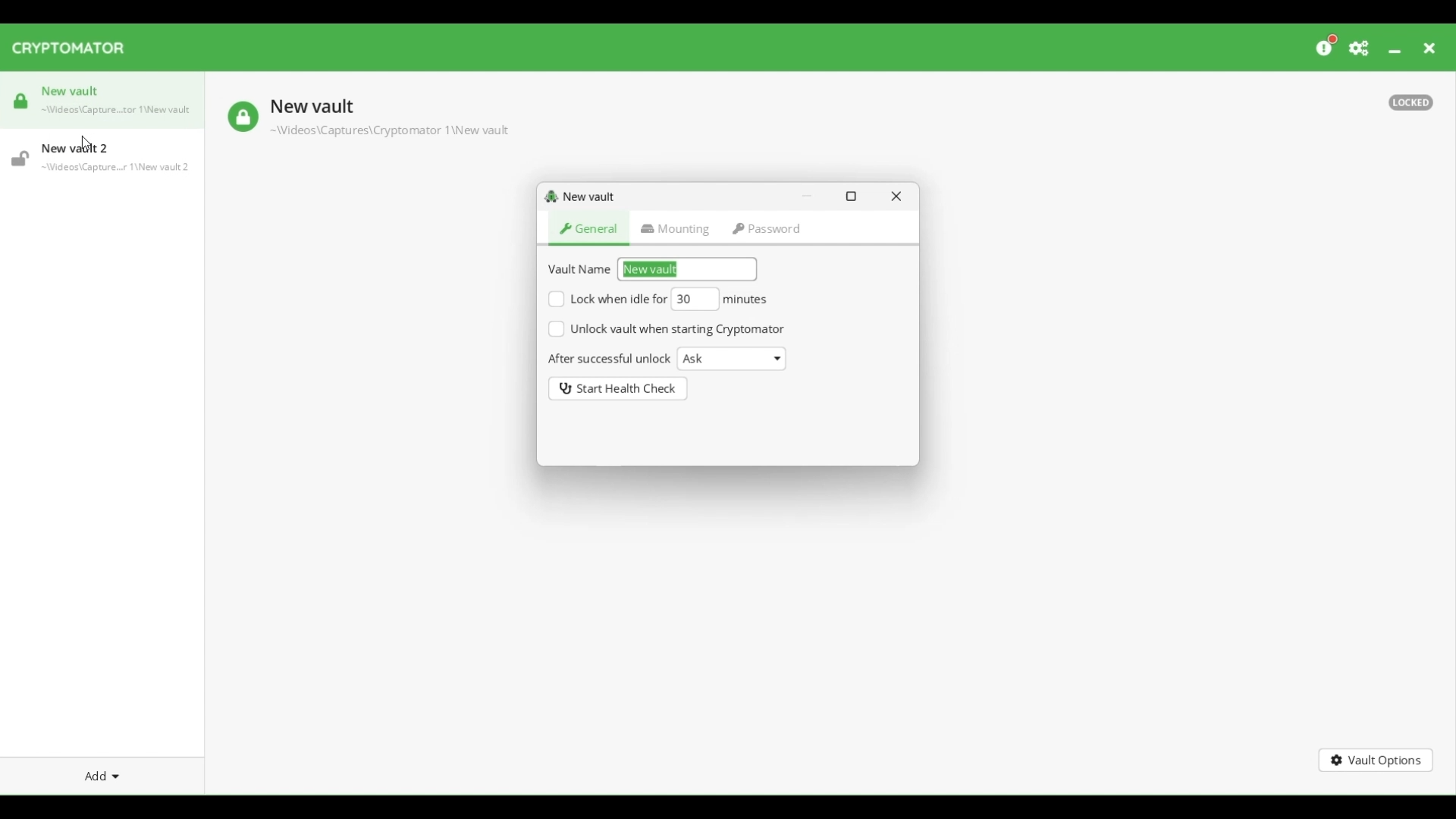 The height and width of the screenshot is (819, 1456). I want to click on Convert window to full screen, so click(852, 196).